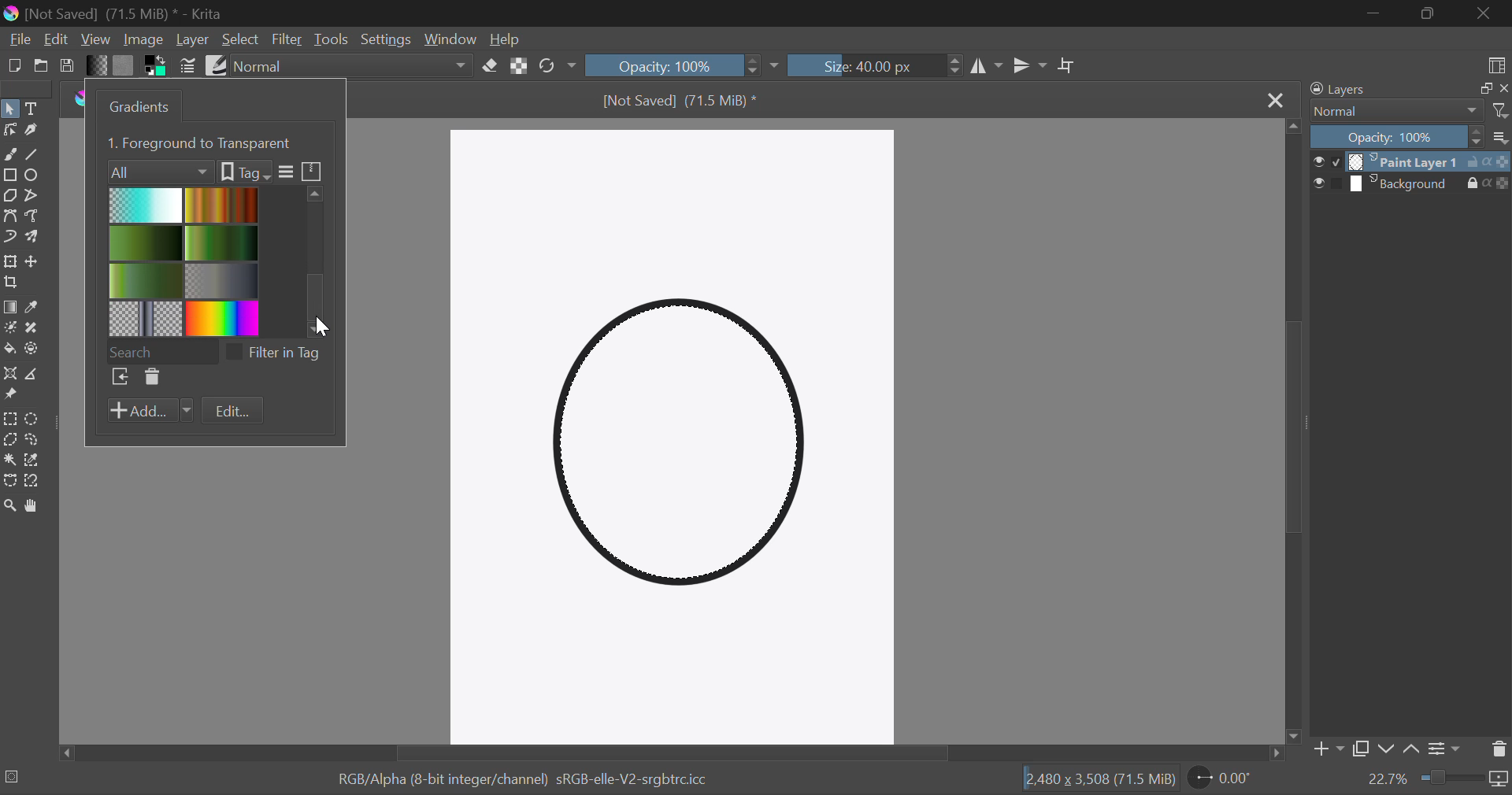 The width and height of the screenshot is (1512, 795). What do you see at coordinates (1453, 776) in the screenshot?
I see `zoom slider` at bounding box center [1453, 776].